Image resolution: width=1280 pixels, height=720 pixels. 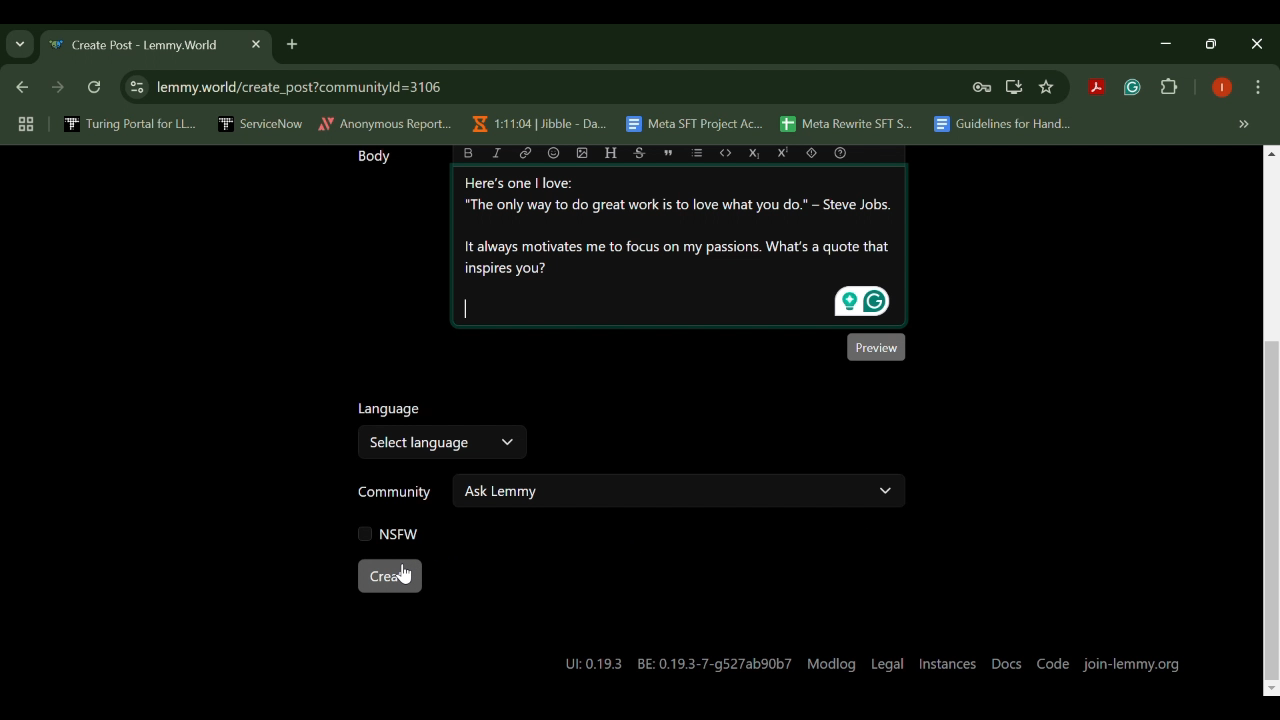 I want to click on code , so click(x=726, y=153).